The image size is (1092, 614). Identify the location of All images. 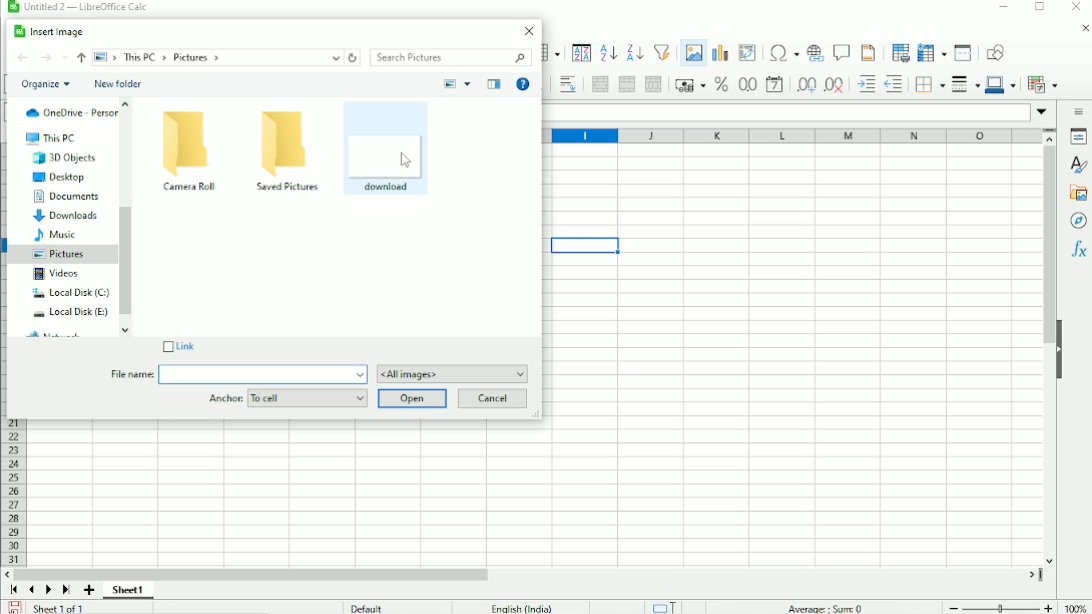
(453, 373).